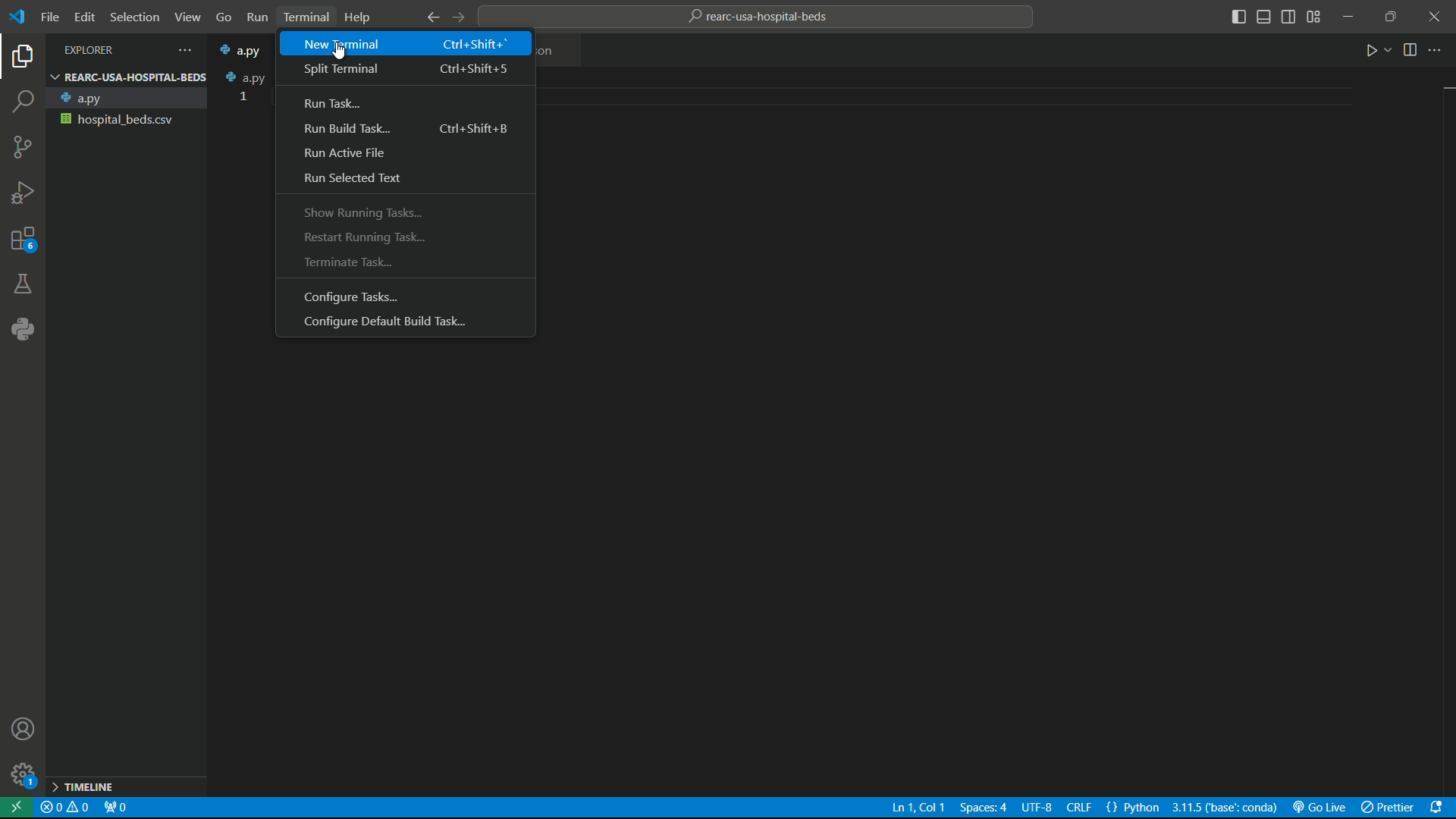 This screenshot has width=1456, height=819. I want to click on toggle primary side bar, so click(1239, 17).